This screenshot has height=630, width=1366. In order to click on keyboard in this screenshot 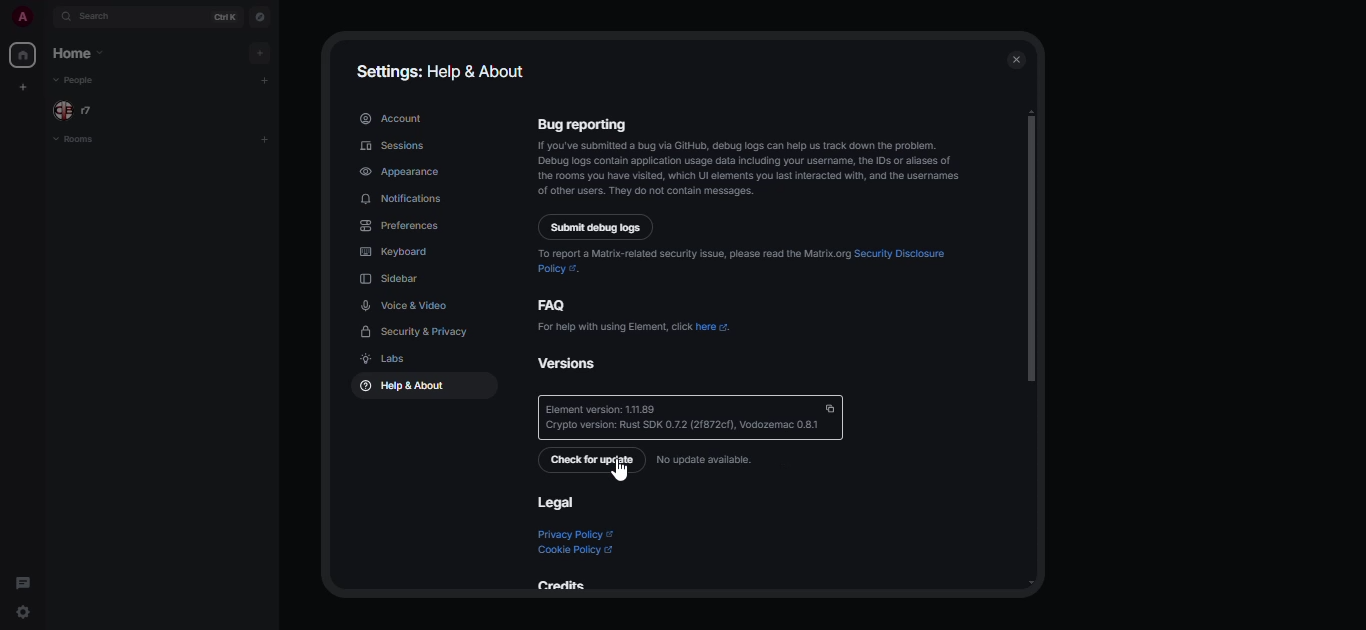, I will do `click(396, 252)`.